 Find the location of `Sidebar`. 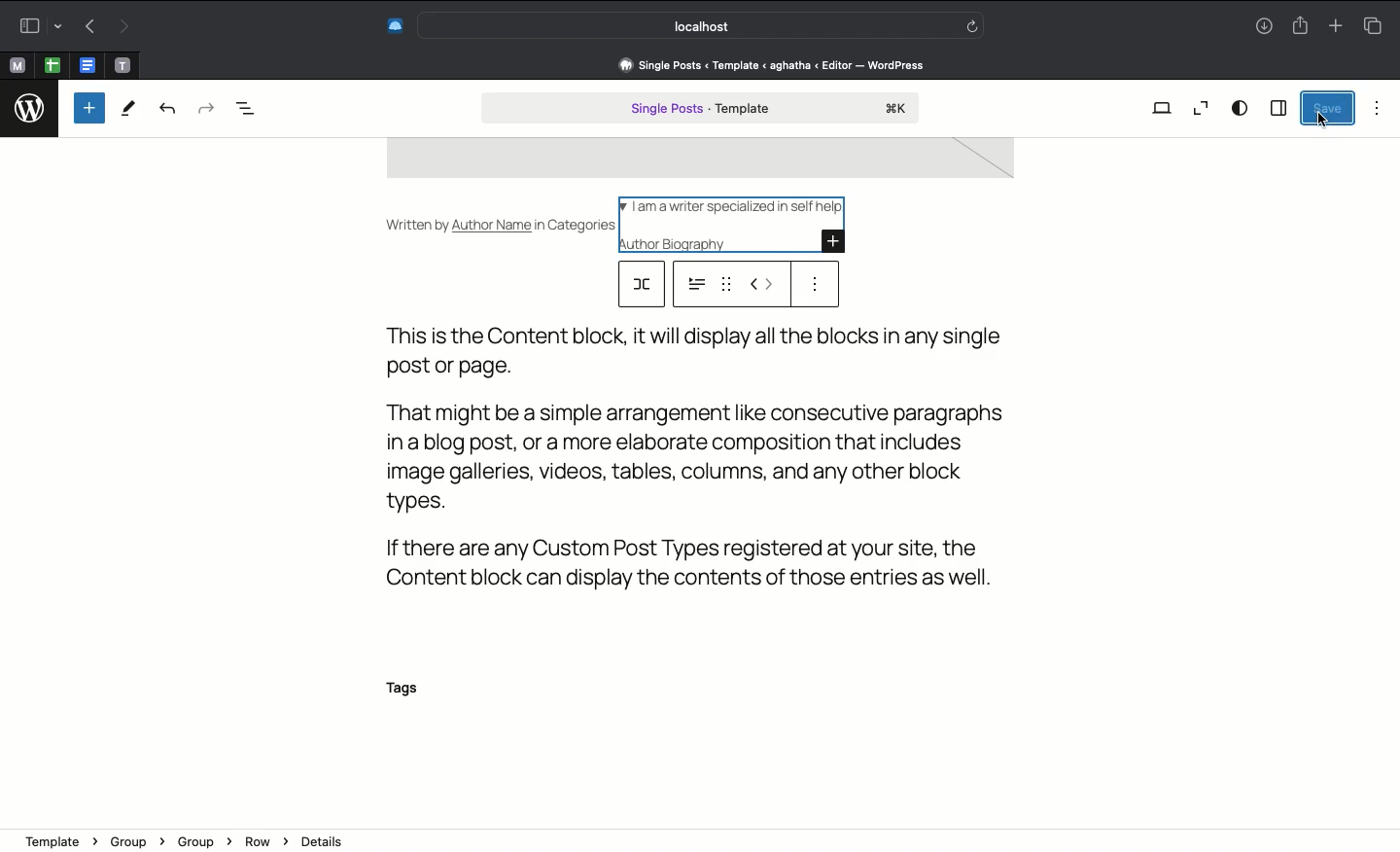

Sidebar is located at coordinates (36, 26).